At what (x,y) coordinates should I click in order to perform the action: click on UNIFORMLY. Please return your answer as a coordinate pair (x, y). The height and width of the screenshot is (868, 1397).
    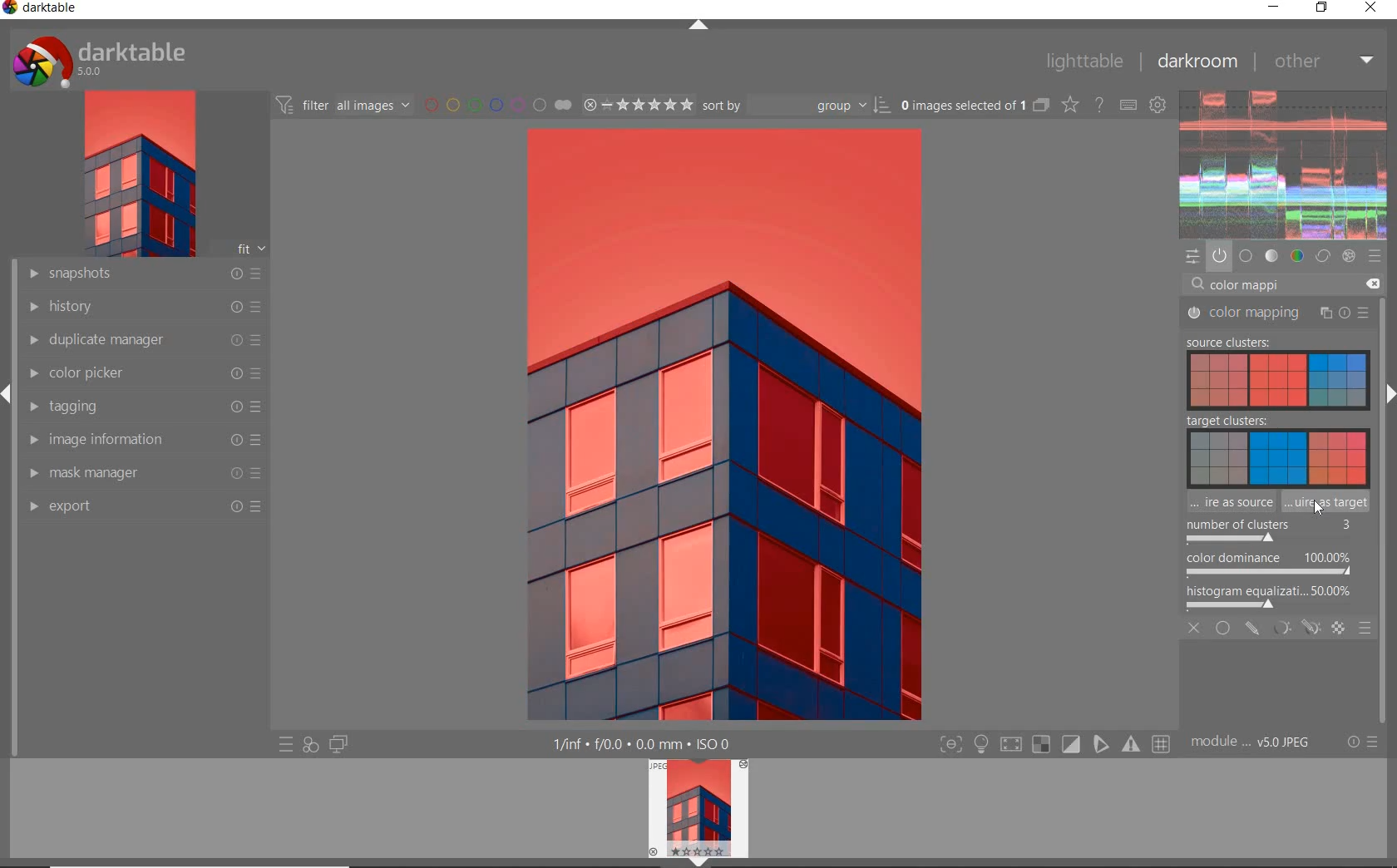
    Looking at the image, I should click on (1223, 629).